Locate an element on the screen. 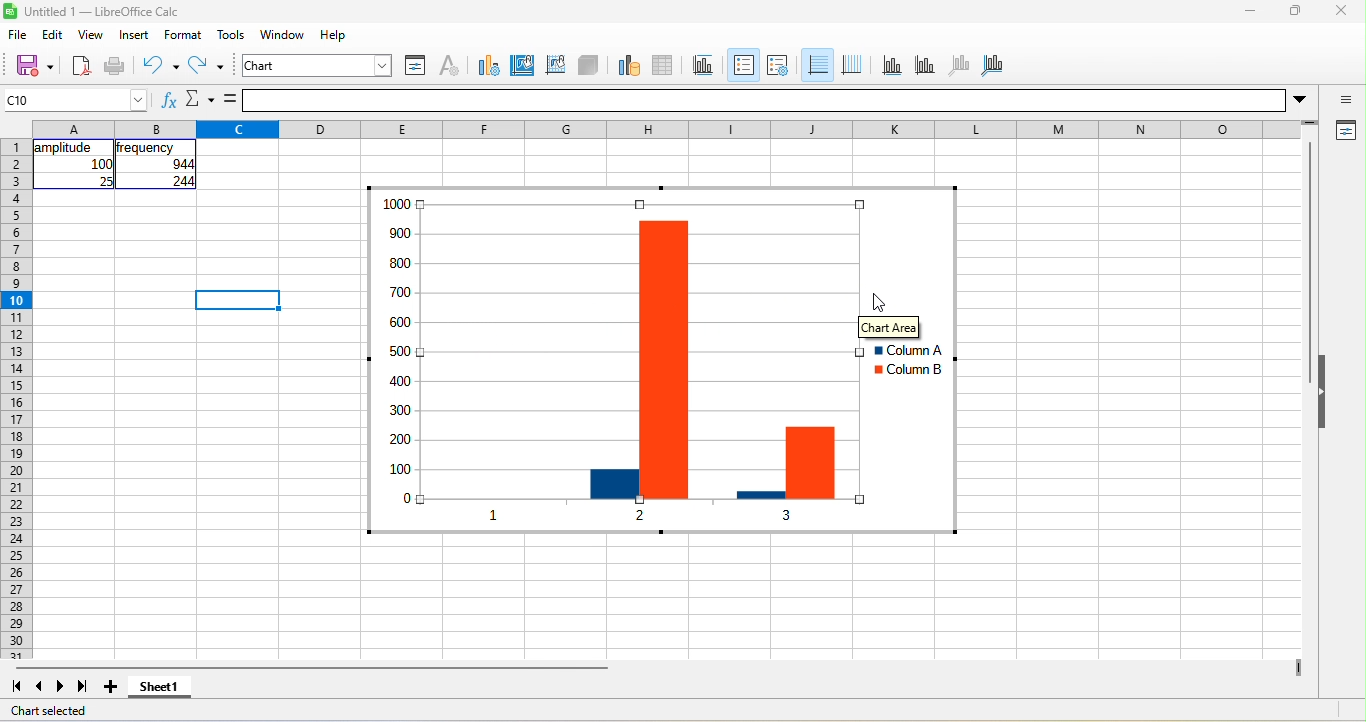 The width and height of the screenshot is (1366, 722). formula bar is located at coordinates (783, 100).